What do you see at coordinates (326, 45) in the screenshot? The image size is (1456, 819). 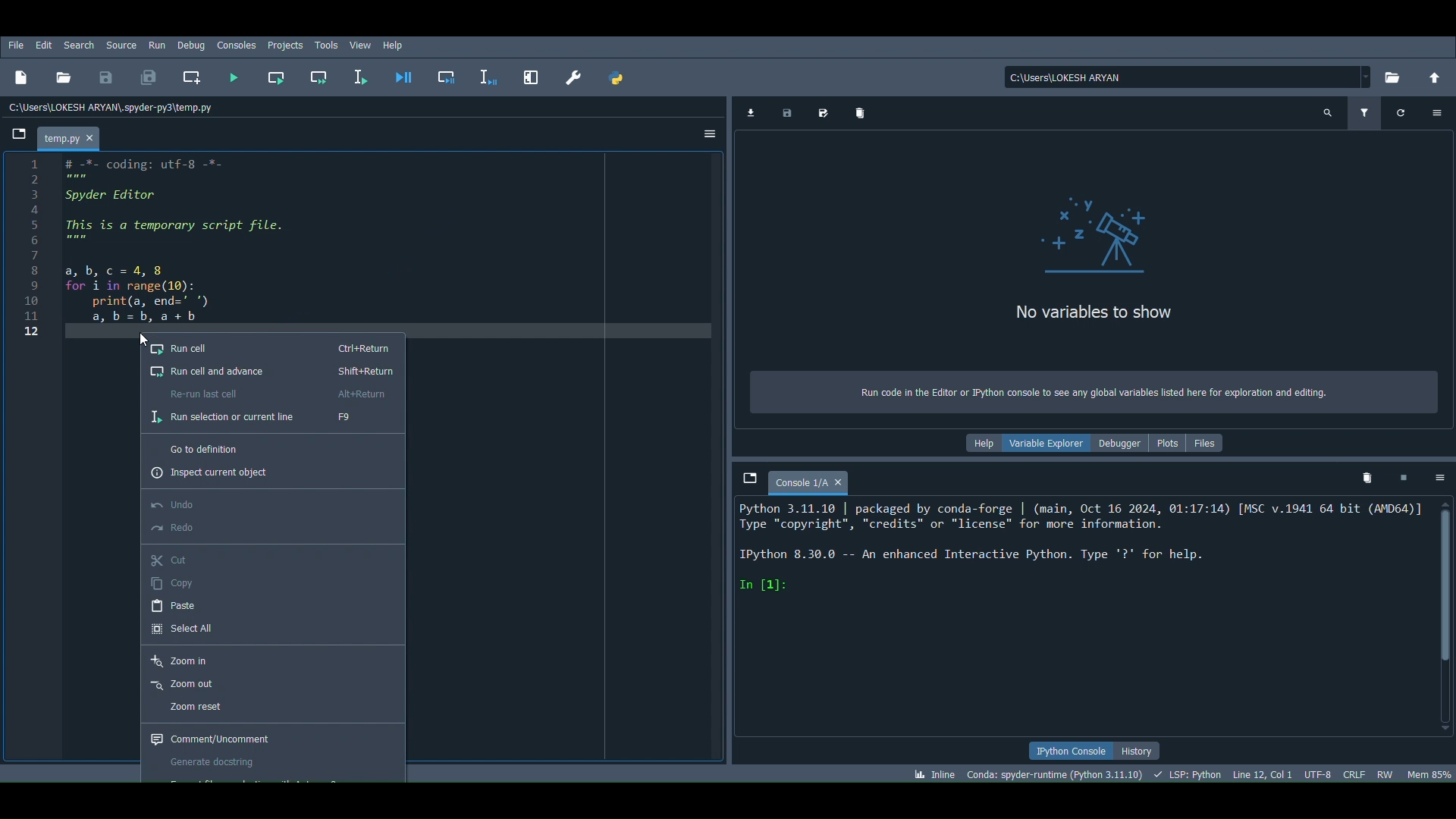 I see `Tools` at bounding box center [326, 45].